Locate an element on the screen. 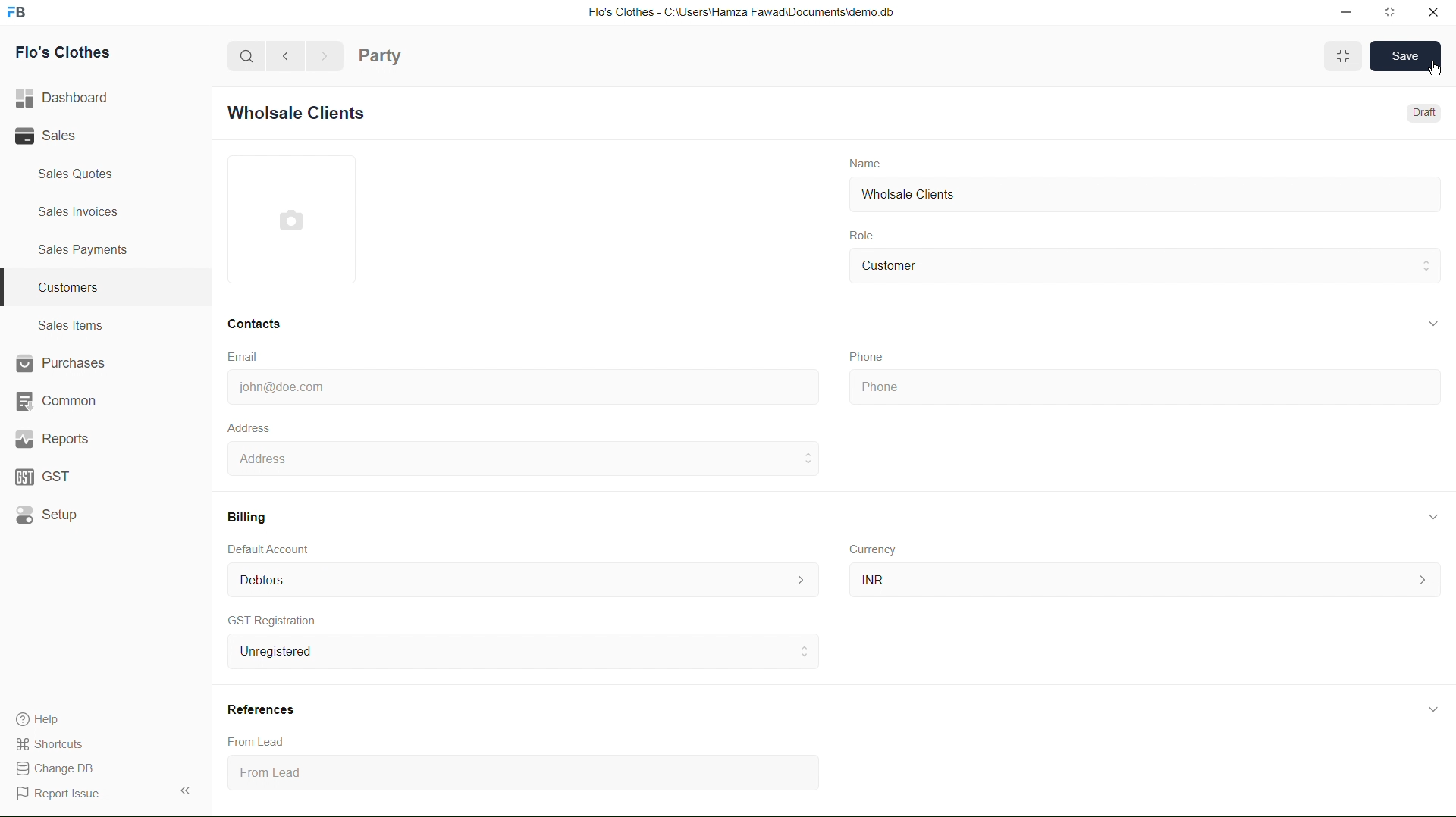 This screenshot has width=1456, height=817. Contacts is located at coordinates (259, 324).